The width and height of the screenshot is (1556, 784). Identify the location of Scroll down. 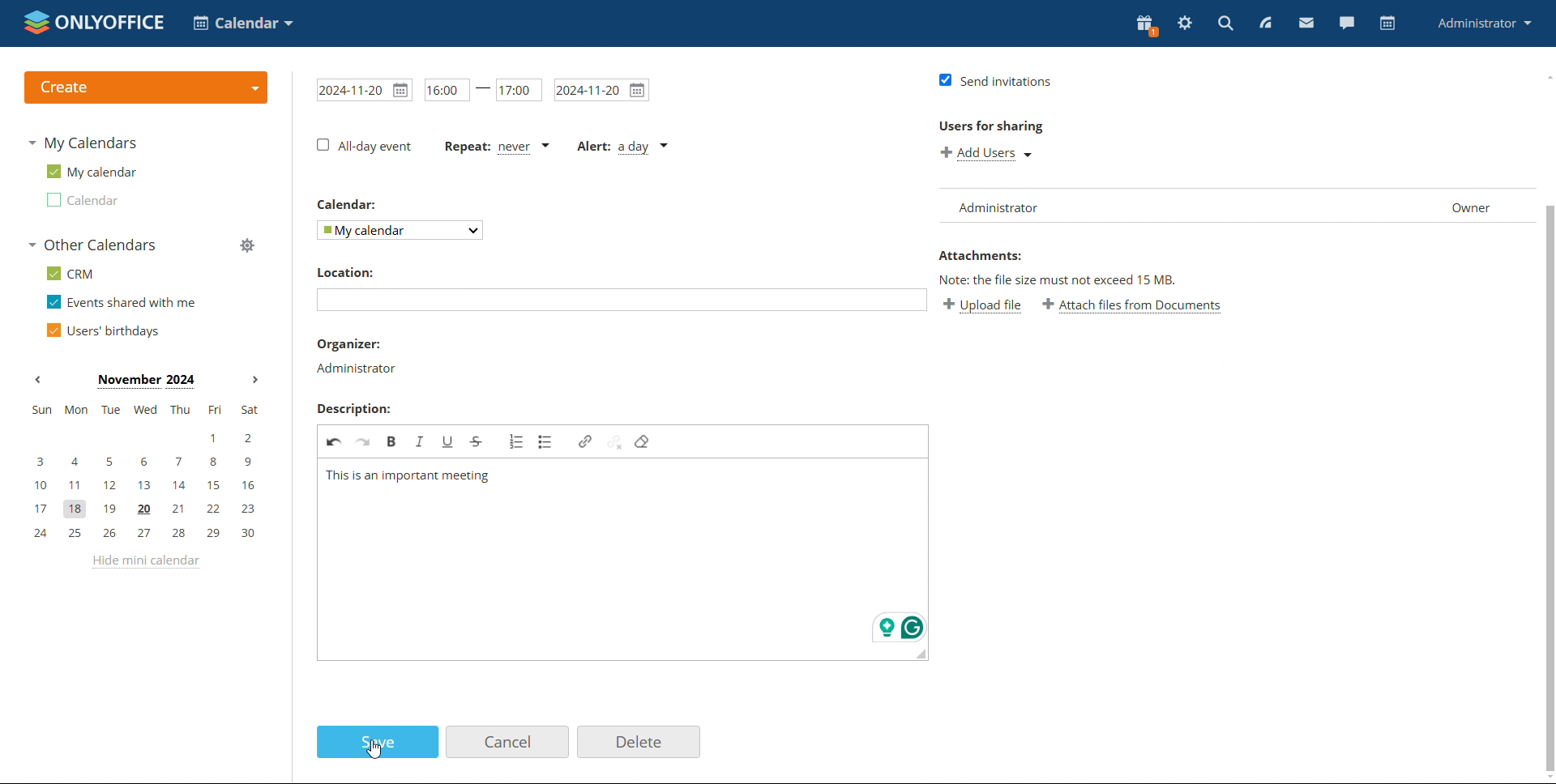
(1546, 778).